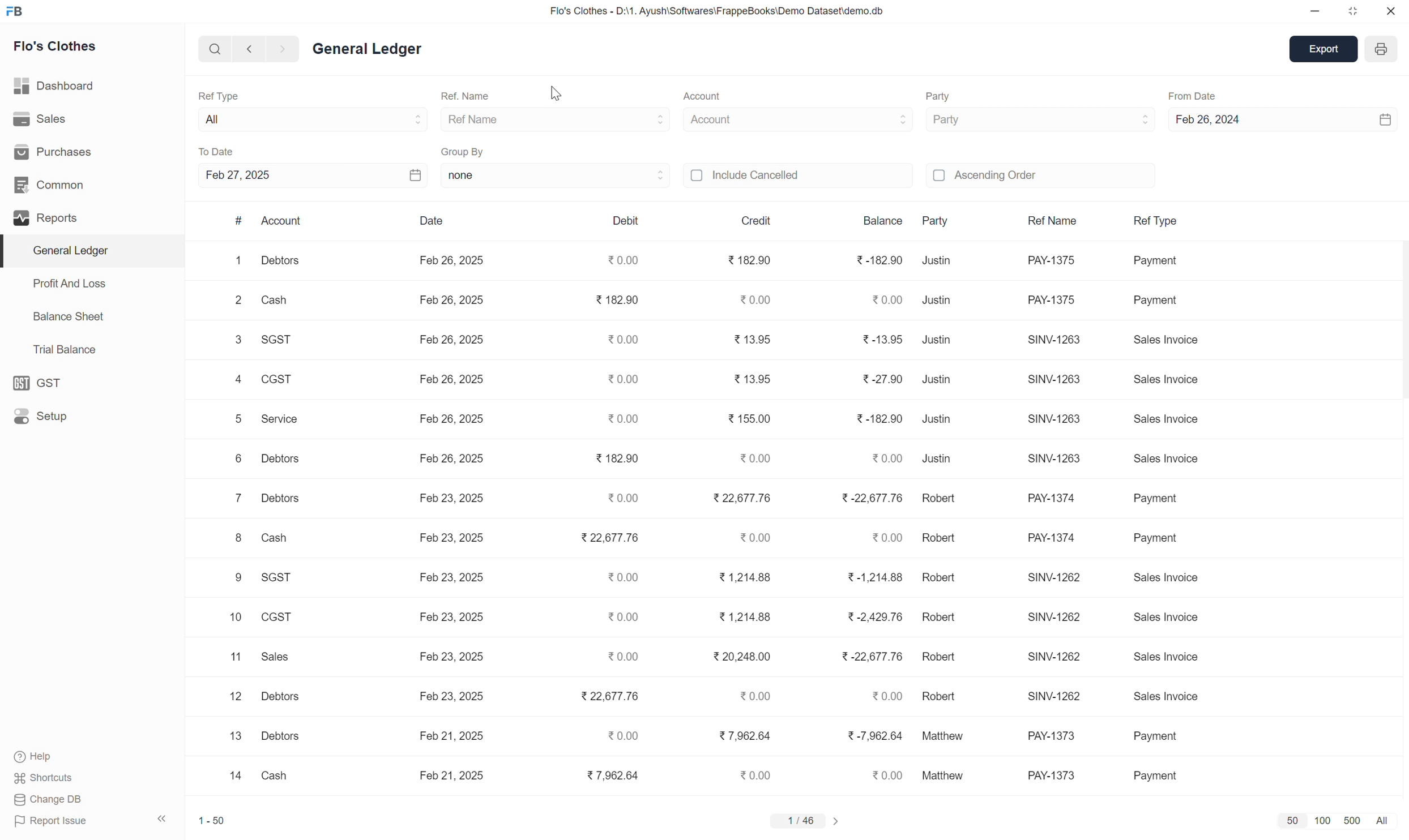 The image size is (1409, 840). What do you see at coordinates (874, 656) in the screenshot?
I see `-22,677.76` at bounding box center [874, 656].